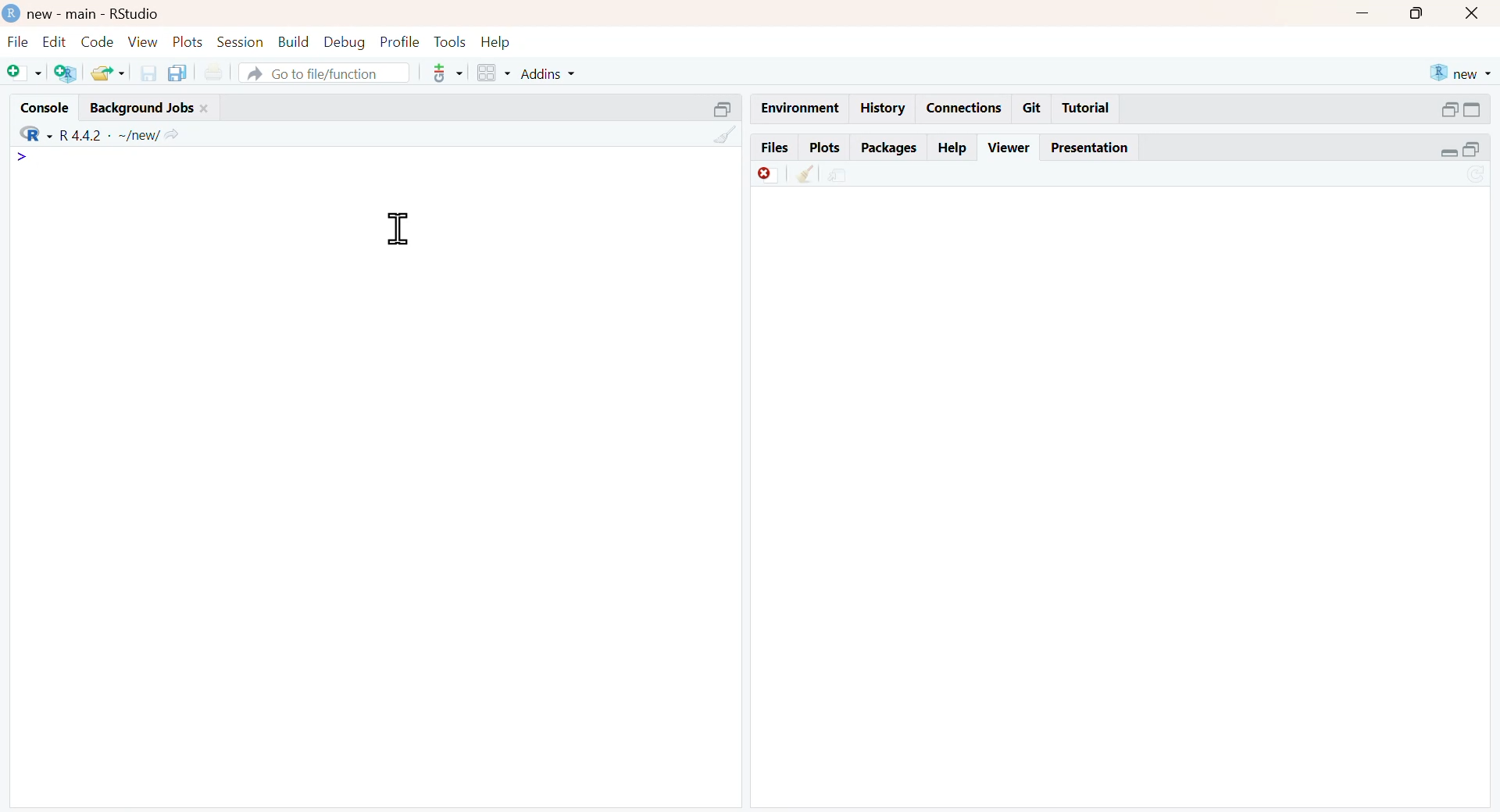  I want to click on R dropdown, so click(26, 130).